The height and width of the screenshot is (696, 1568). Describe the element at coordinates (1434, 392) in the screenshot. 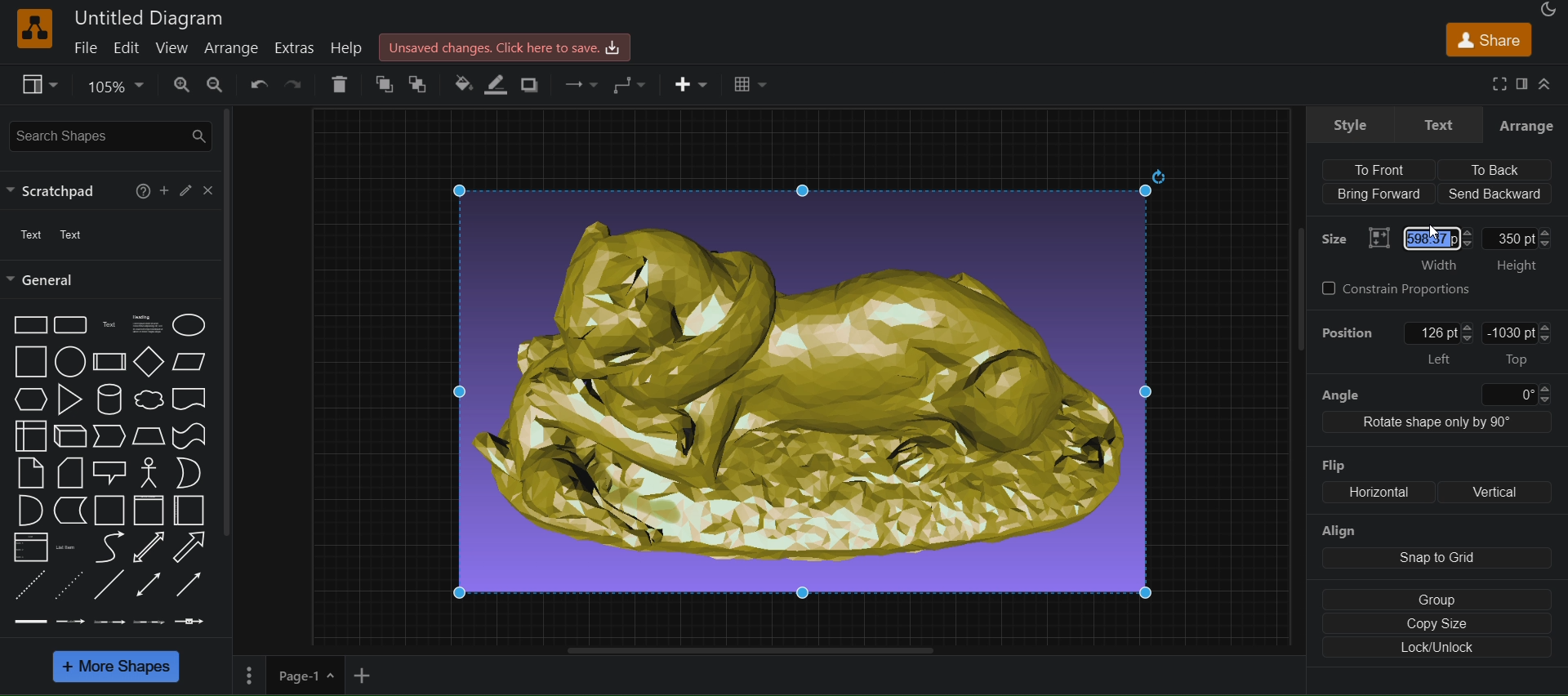

I see `angle 0 degree` at that location.